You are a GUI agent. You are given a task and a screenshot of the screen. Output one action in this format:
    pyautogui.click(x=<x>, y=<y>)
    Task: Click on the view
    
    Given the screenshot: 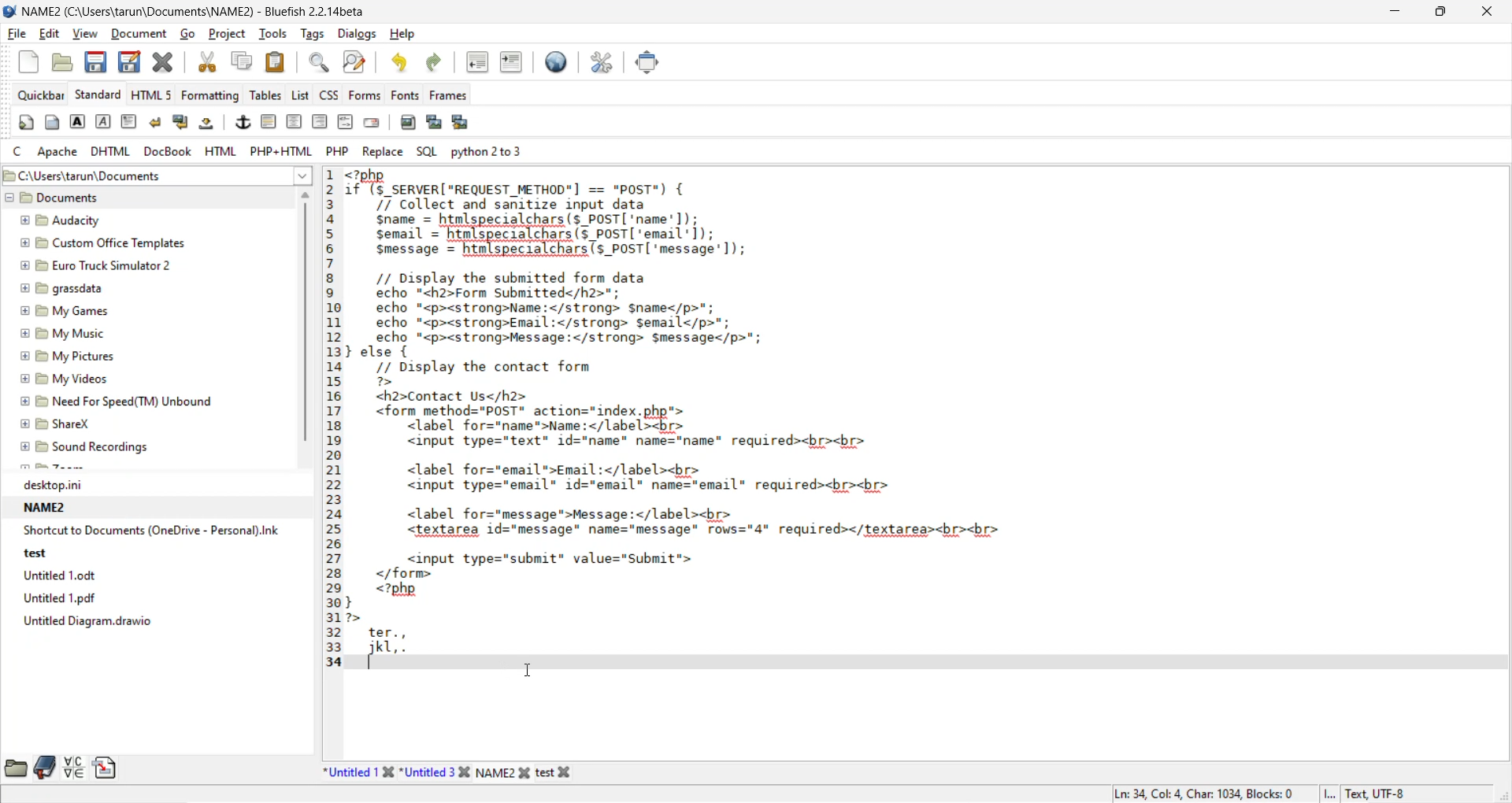 What is the action you would take?
    pyautogui.click(x=86, y=33)
    